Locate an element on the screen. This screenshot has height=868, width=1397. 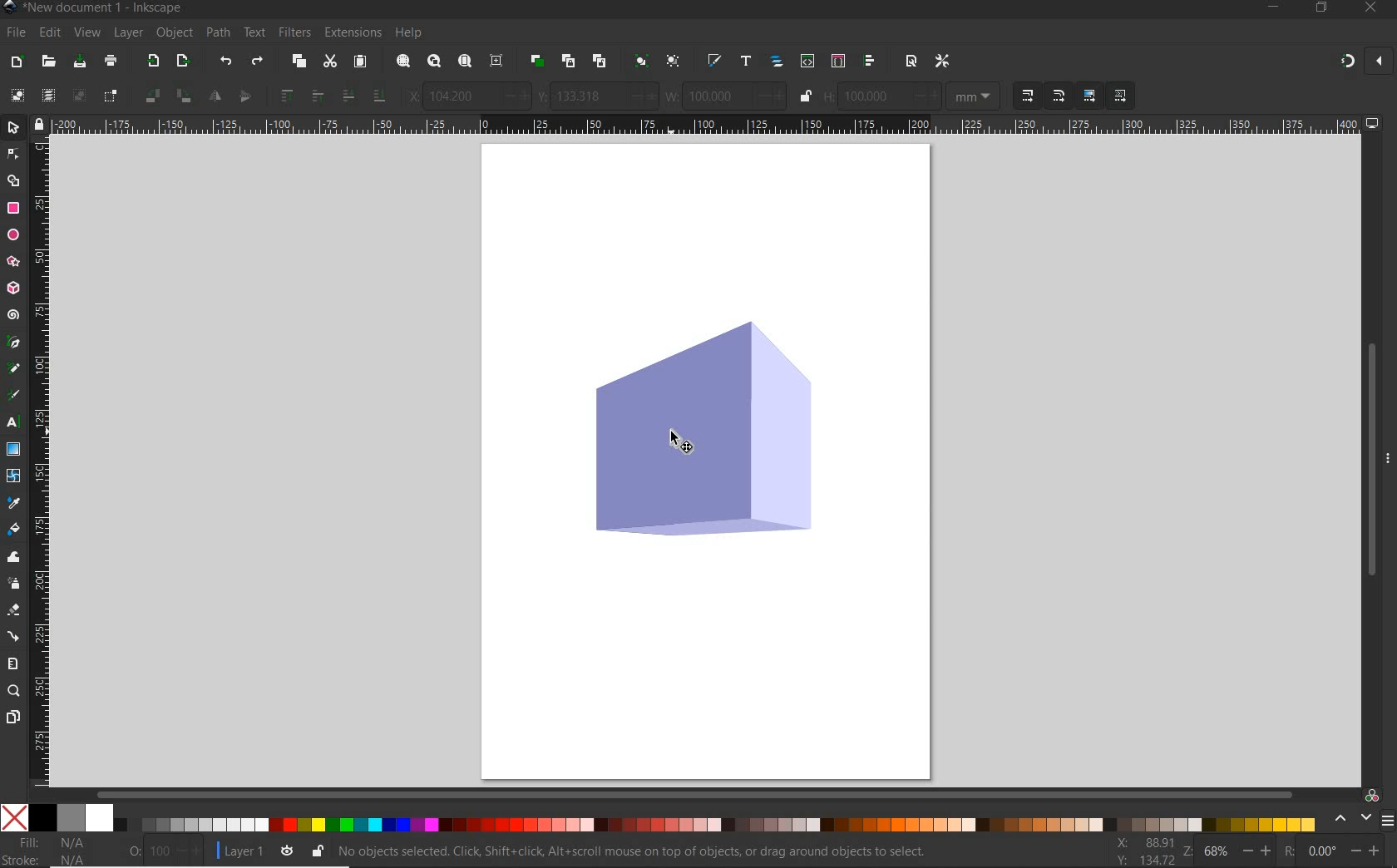
TOGGLE SELECTION BOX is located at coordinates (111, 97).